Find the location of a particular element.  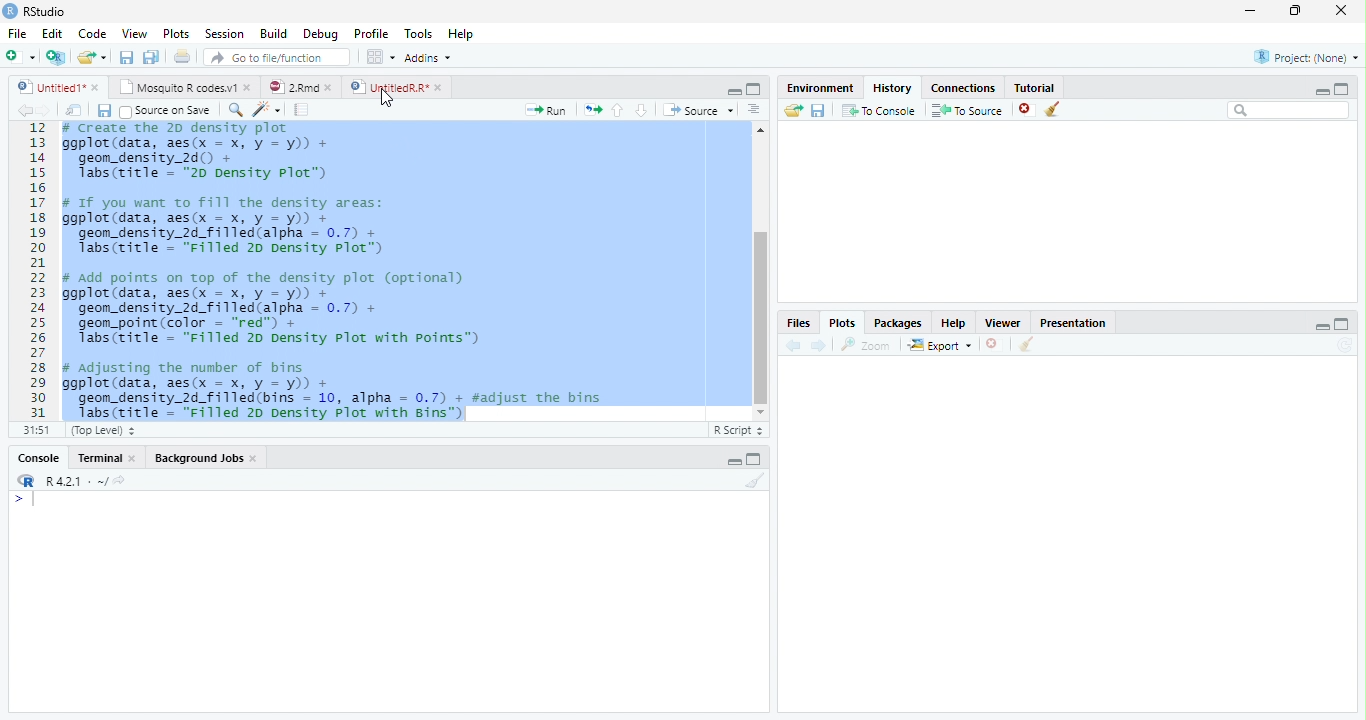

Presentatior is located at coordinates (1072, 324).